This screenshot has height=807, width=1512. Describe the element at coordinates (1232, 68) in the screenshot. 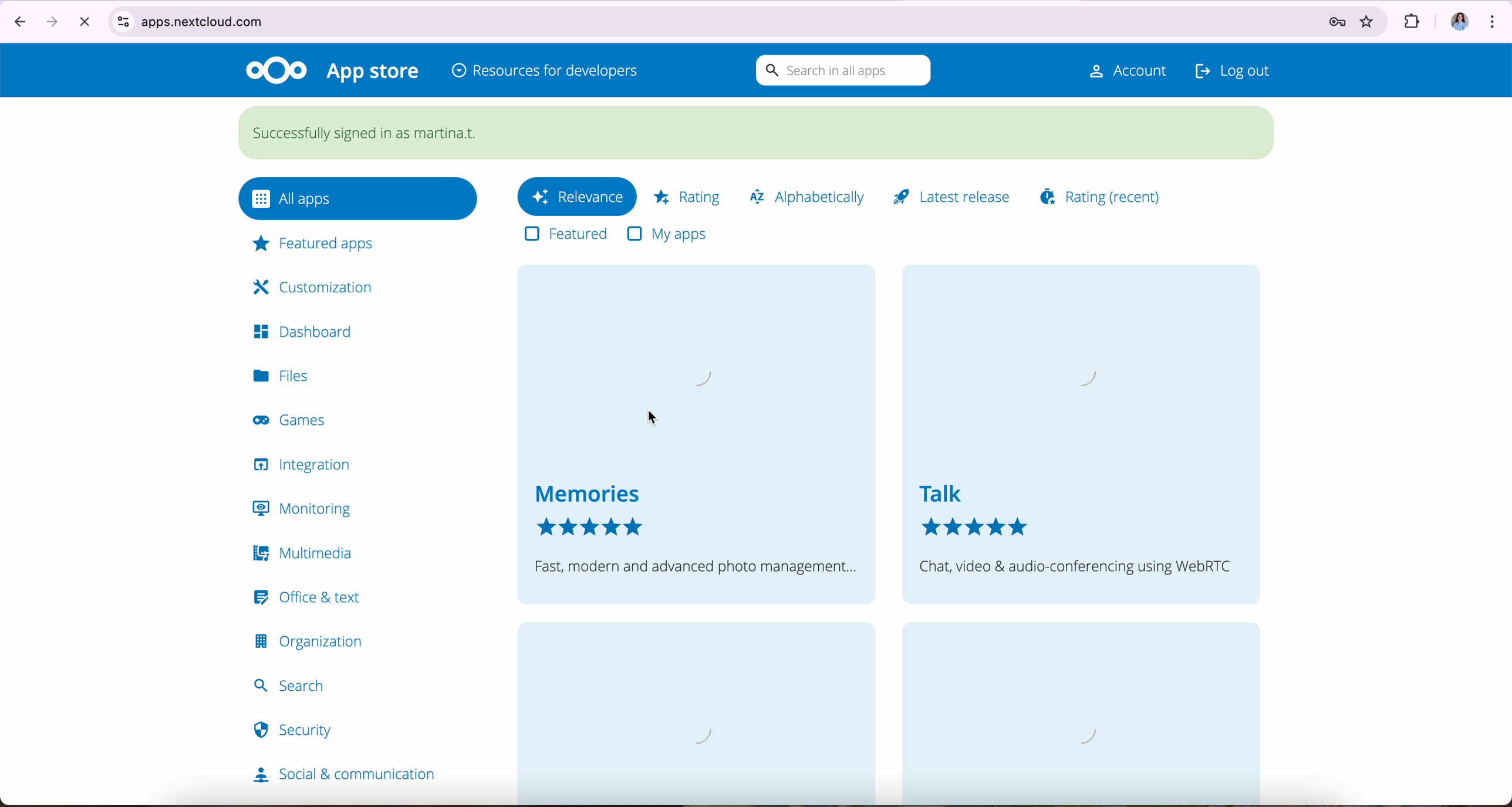

I see `log out` at that location.